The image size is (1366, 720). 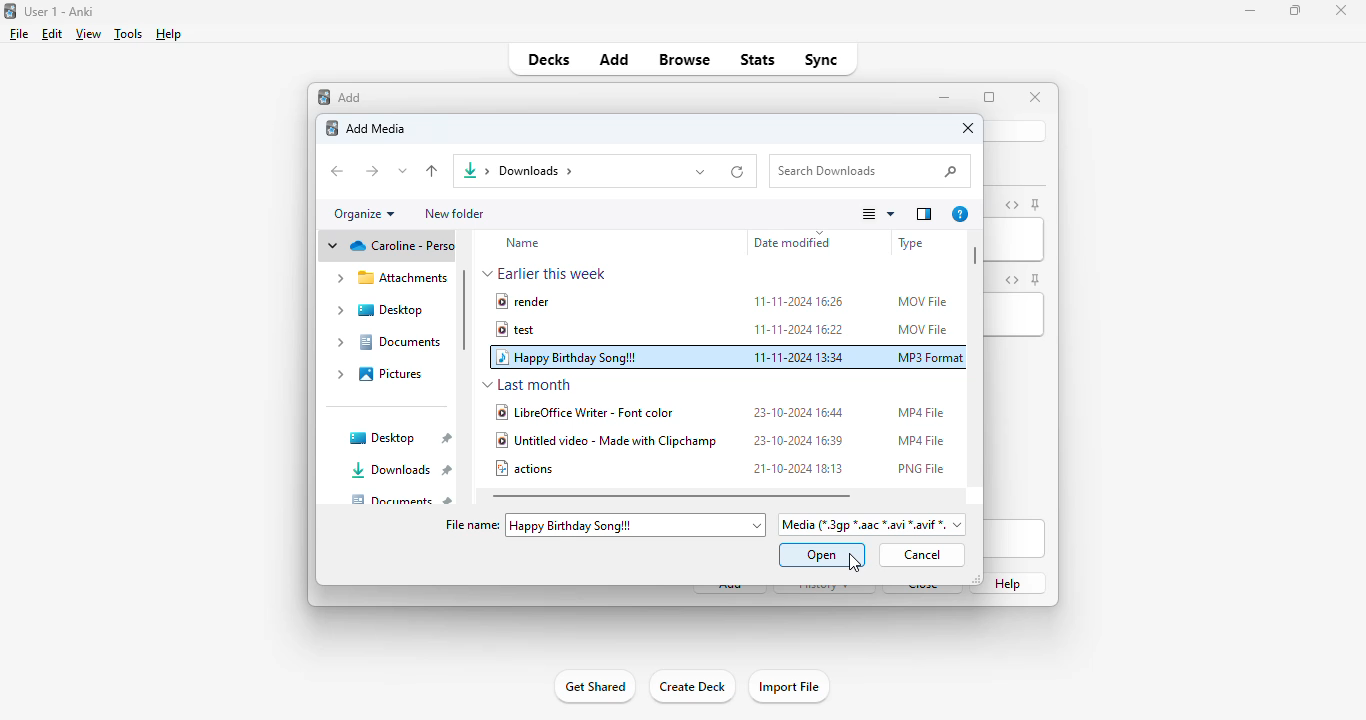 What do you see at coordinates (820, 60) in the screenshot?
I see `sync` at bounding box center [820, 60].